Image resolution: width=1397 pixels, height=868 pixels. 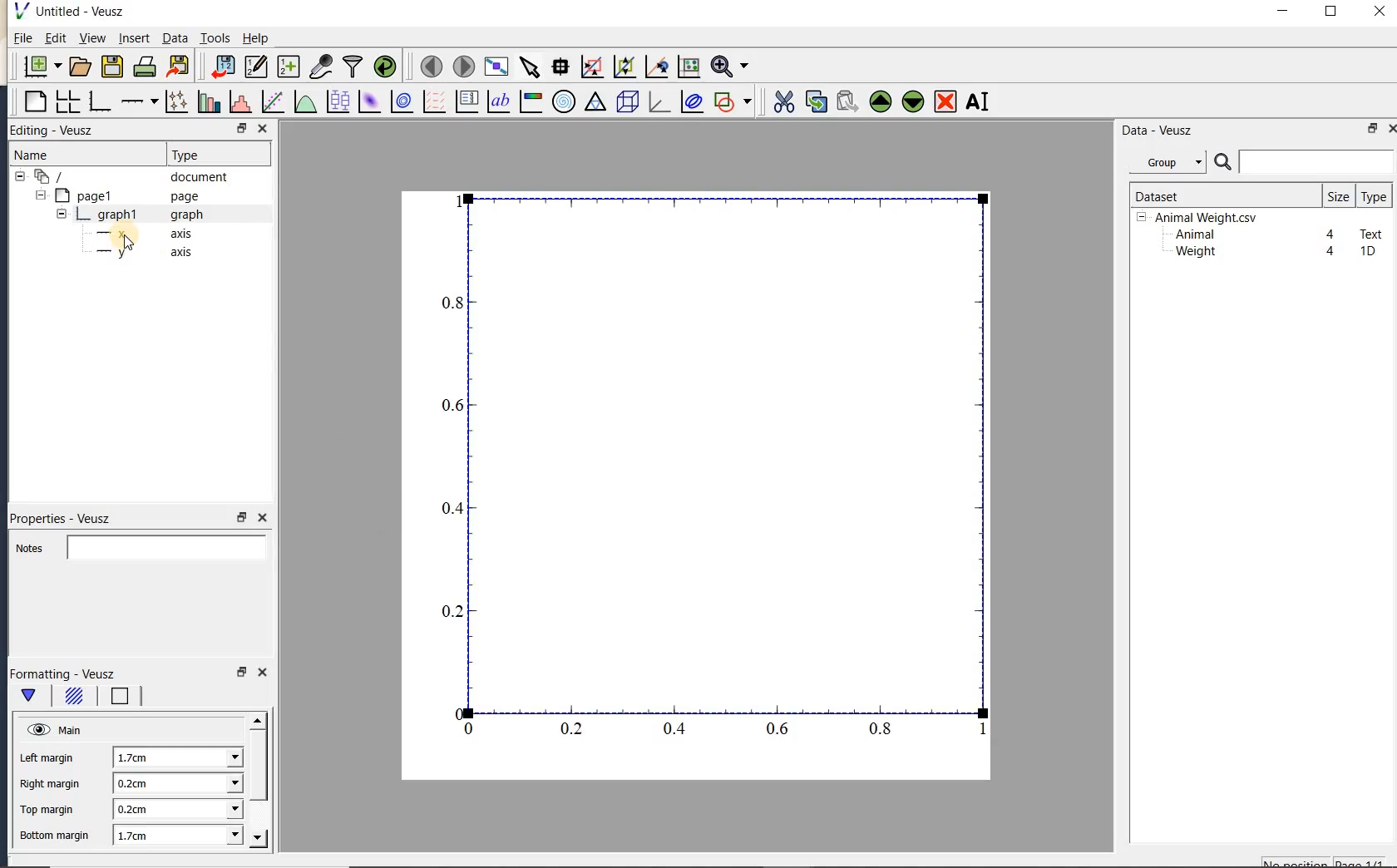 What do you see at coordinates (140, 234) in the screenshot?
I see `axis` at bounding box center [140, 234].